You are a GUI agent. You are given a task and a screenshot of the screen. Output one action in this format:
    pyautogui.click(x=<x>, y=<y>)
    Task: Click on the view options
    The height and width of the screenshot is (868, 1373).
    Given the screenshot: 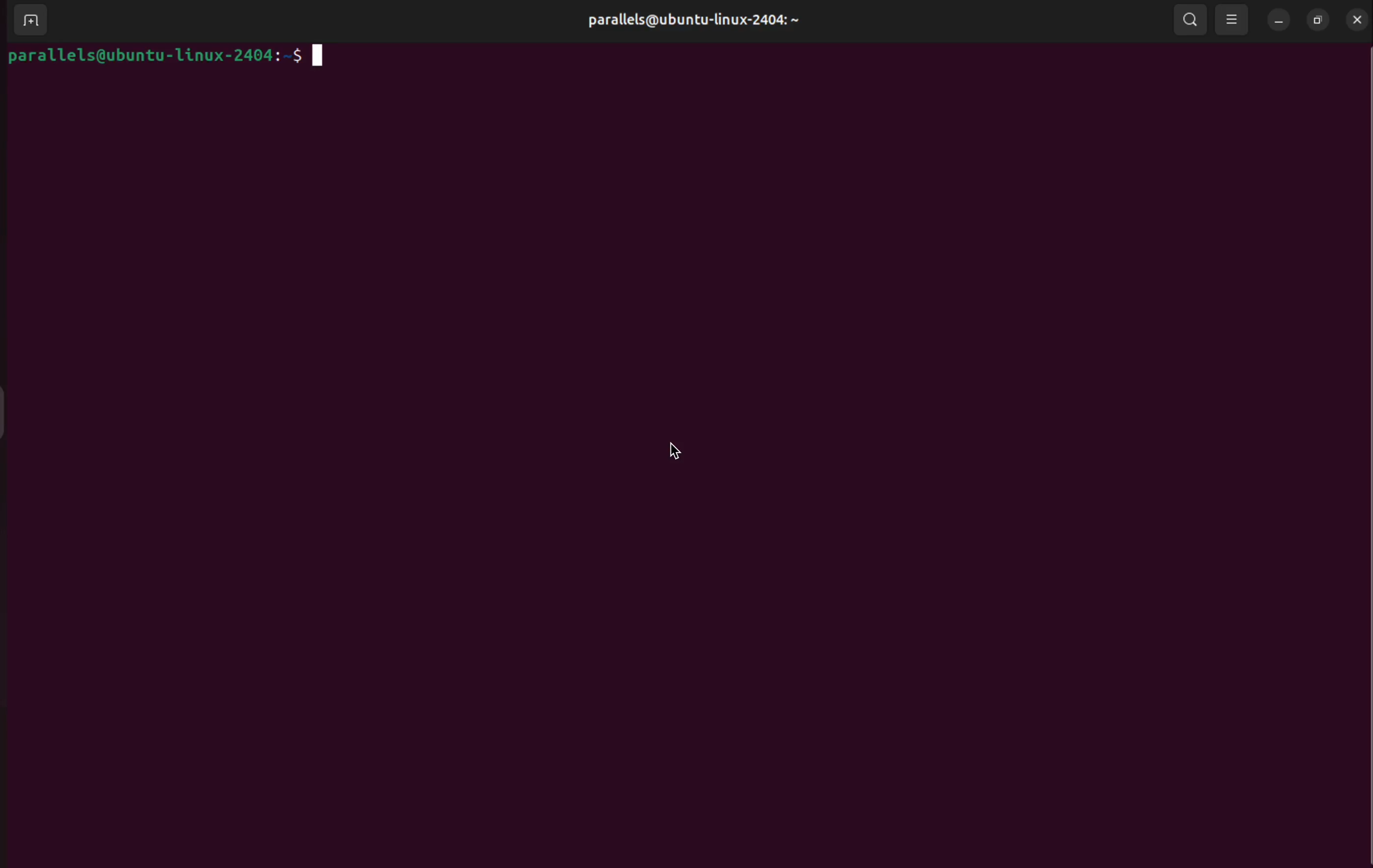 What is the action you would take?
    pyautogui.click(x=1232, y=20)
    